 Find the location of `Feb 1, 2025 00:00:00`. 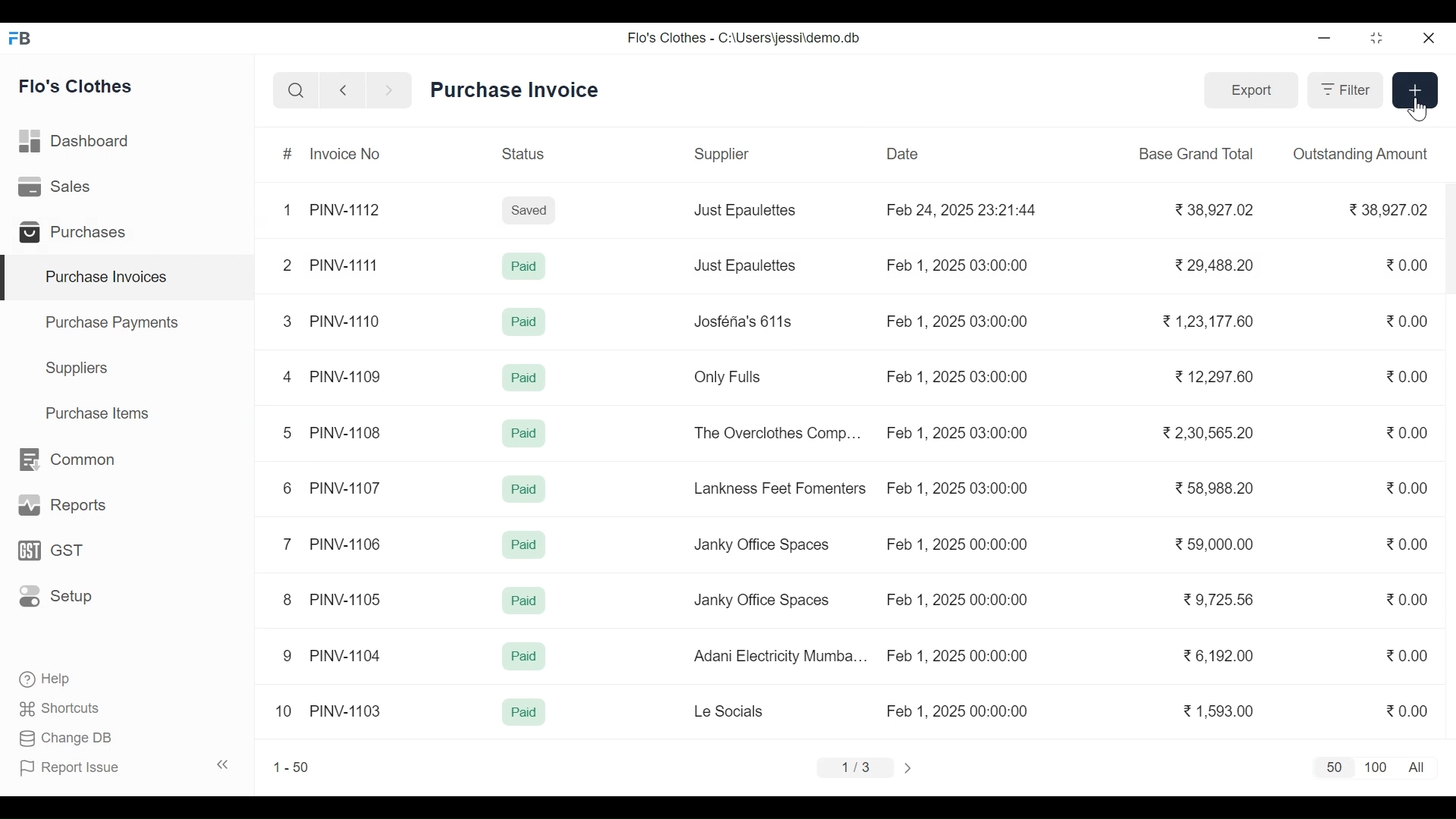

Feb 1, 2025 00:00:00 is located at coordinates (960, 544).